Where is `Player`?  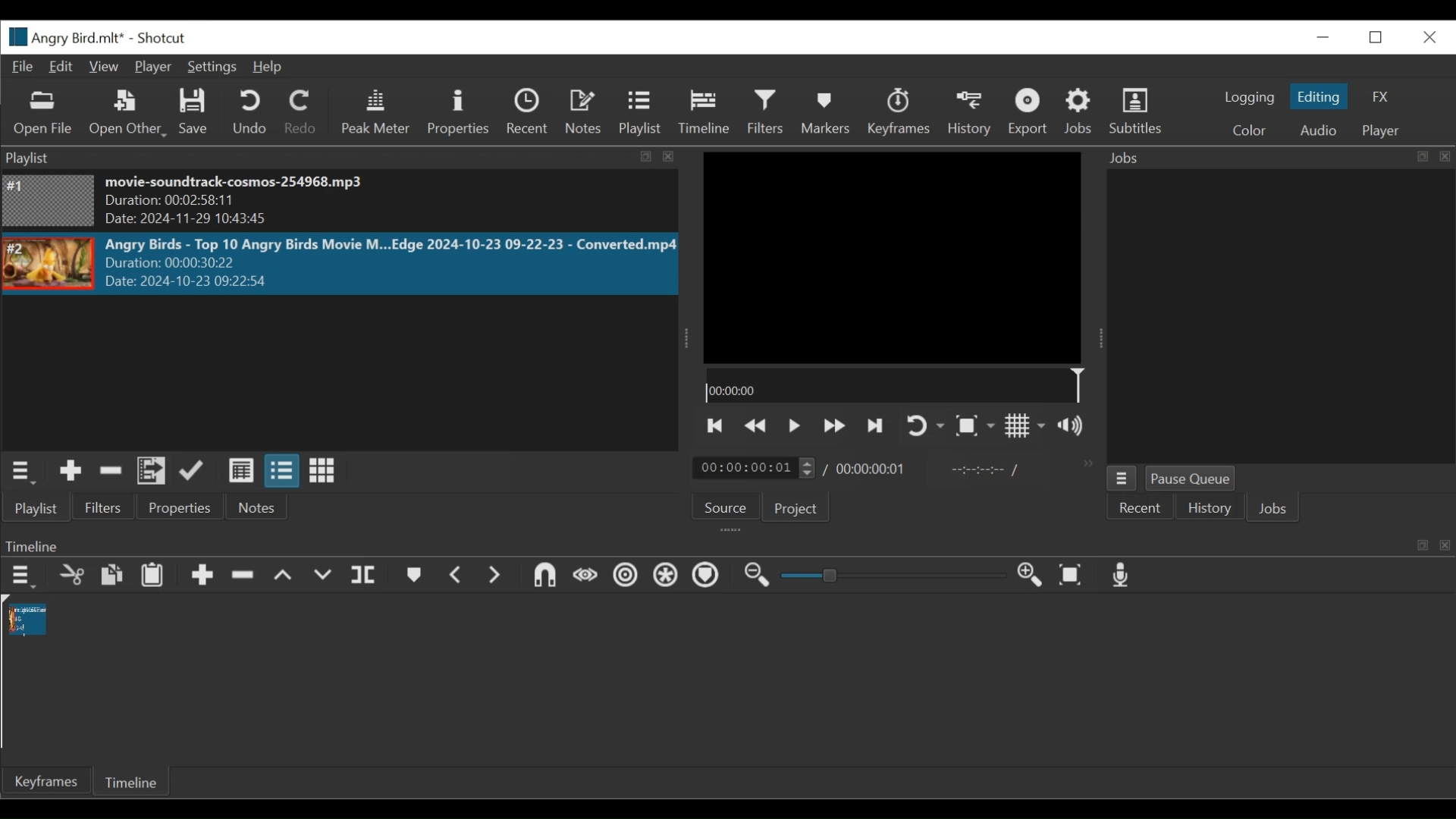
Player is located at coordinates (1382, 132).